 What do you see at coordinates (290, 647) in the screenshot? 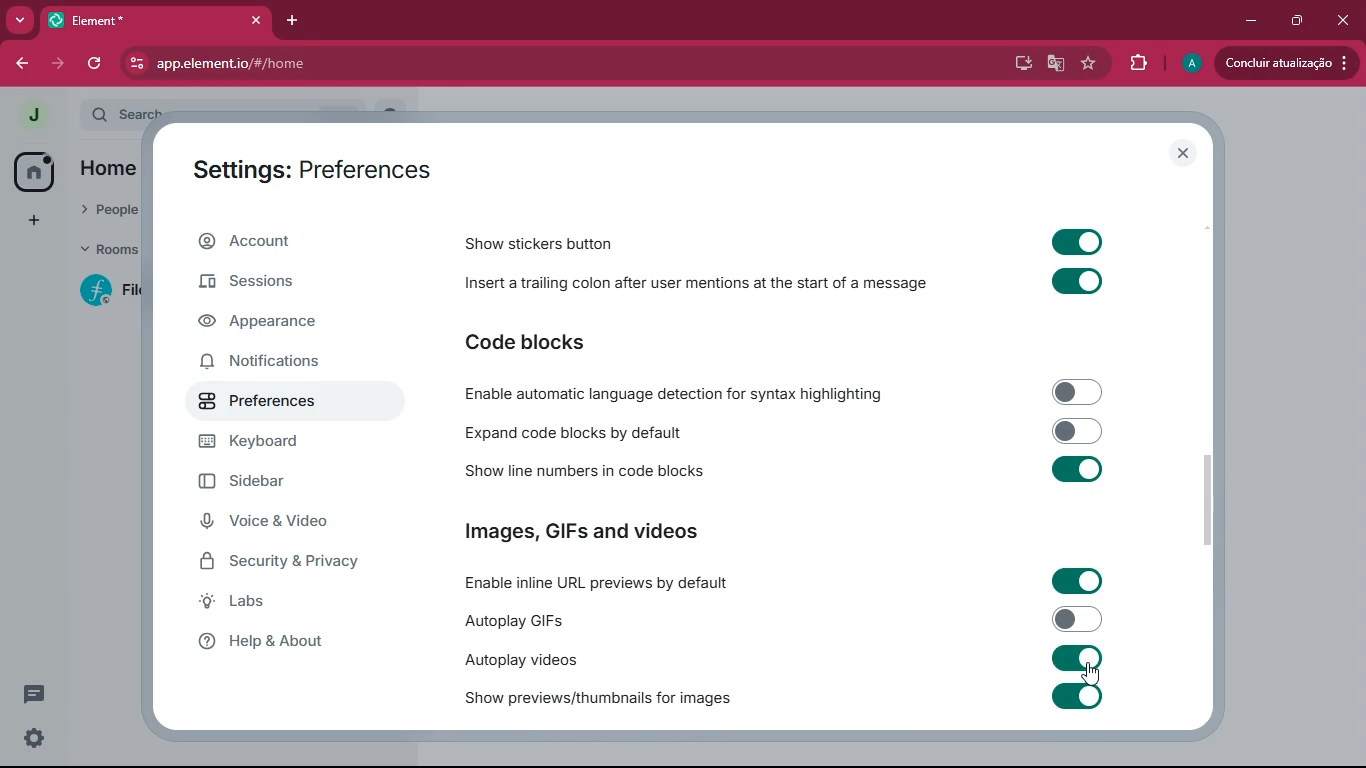
I see `help` at bounding box center [290, 647].